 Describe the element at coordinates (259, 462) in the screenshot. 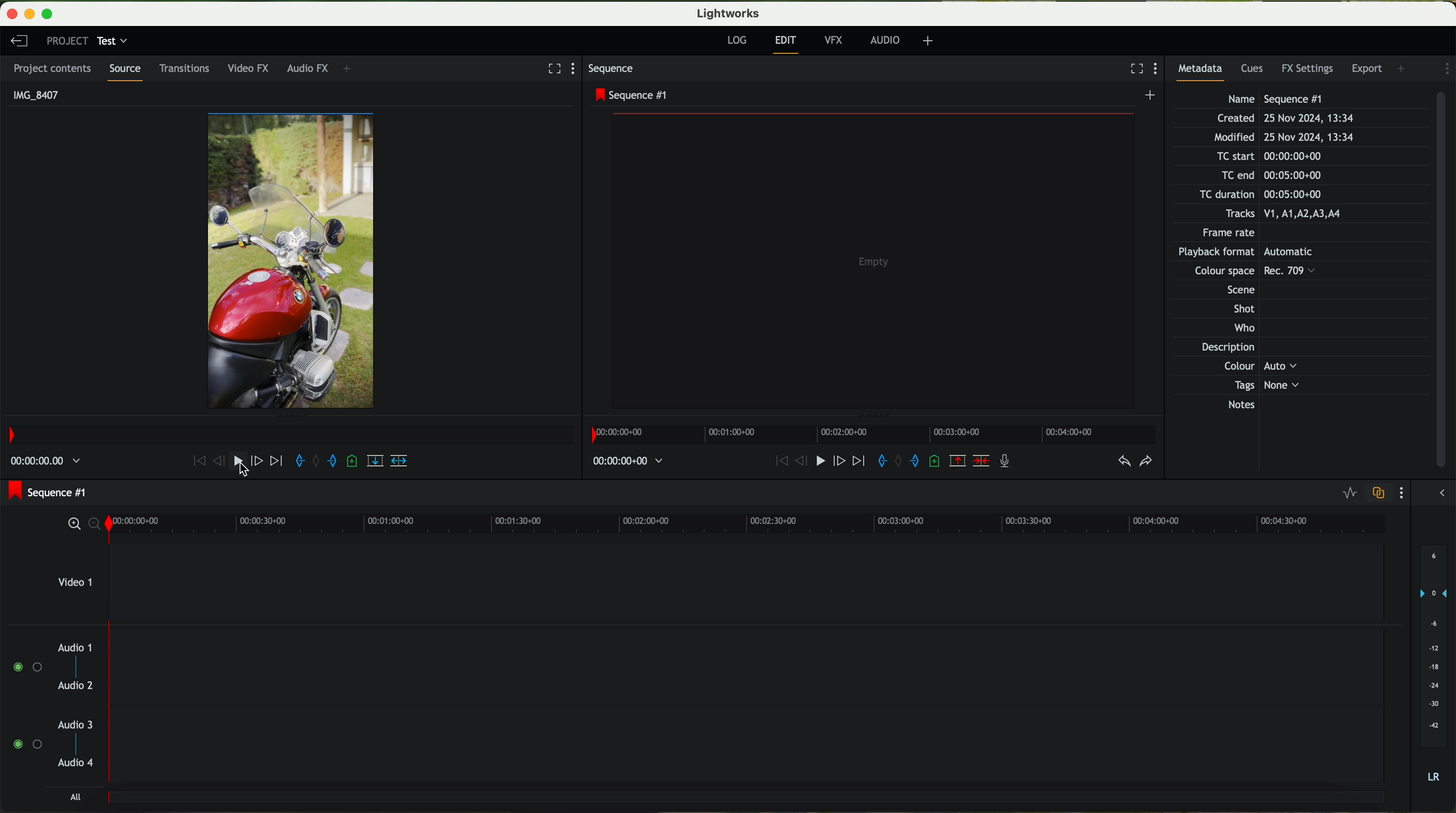

I see `nudge one frame forward` at that location.